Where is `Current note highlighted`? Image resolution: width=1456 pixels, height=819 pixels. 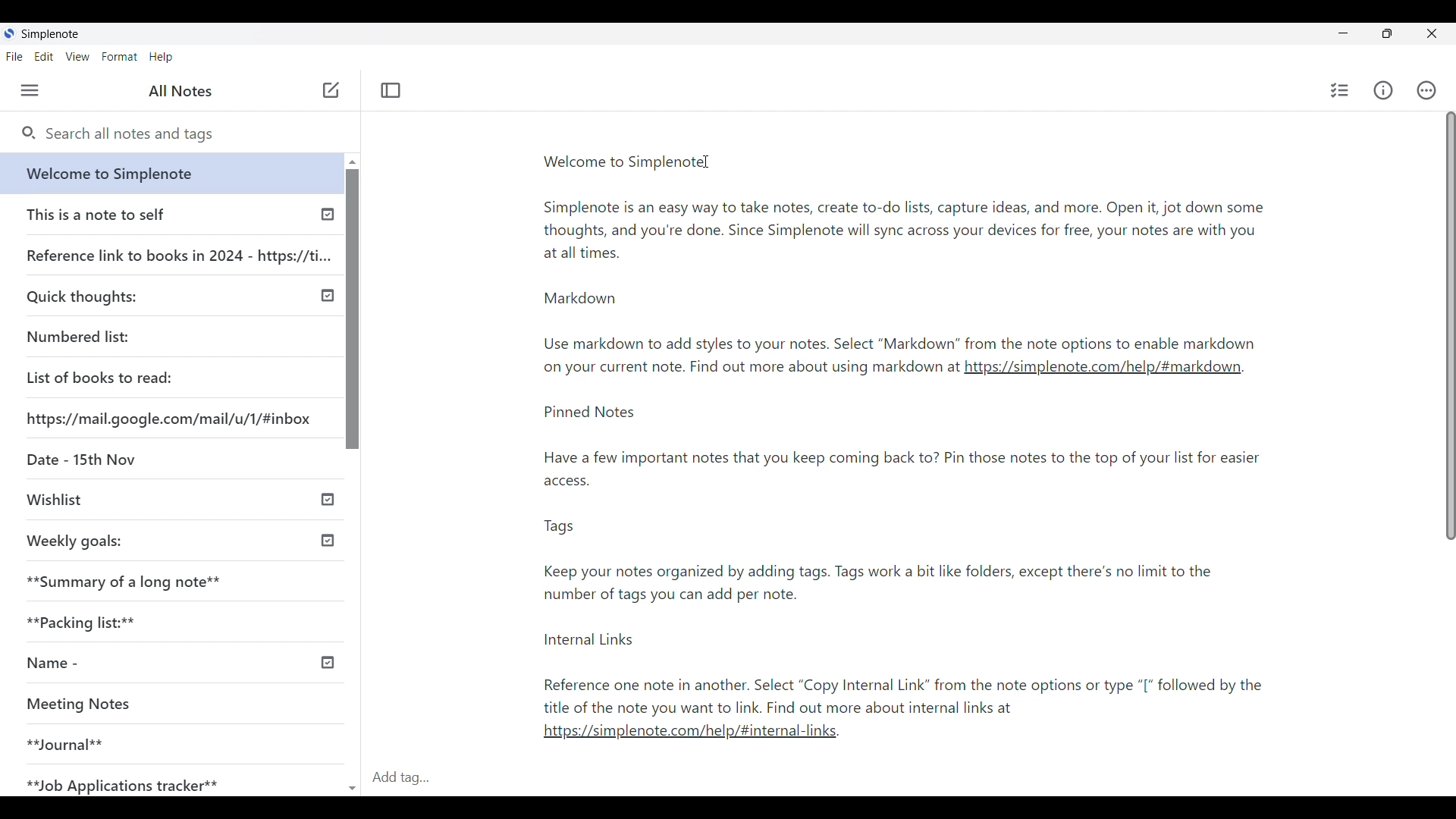 Current note highlighted is located at coordinates (165, 173).